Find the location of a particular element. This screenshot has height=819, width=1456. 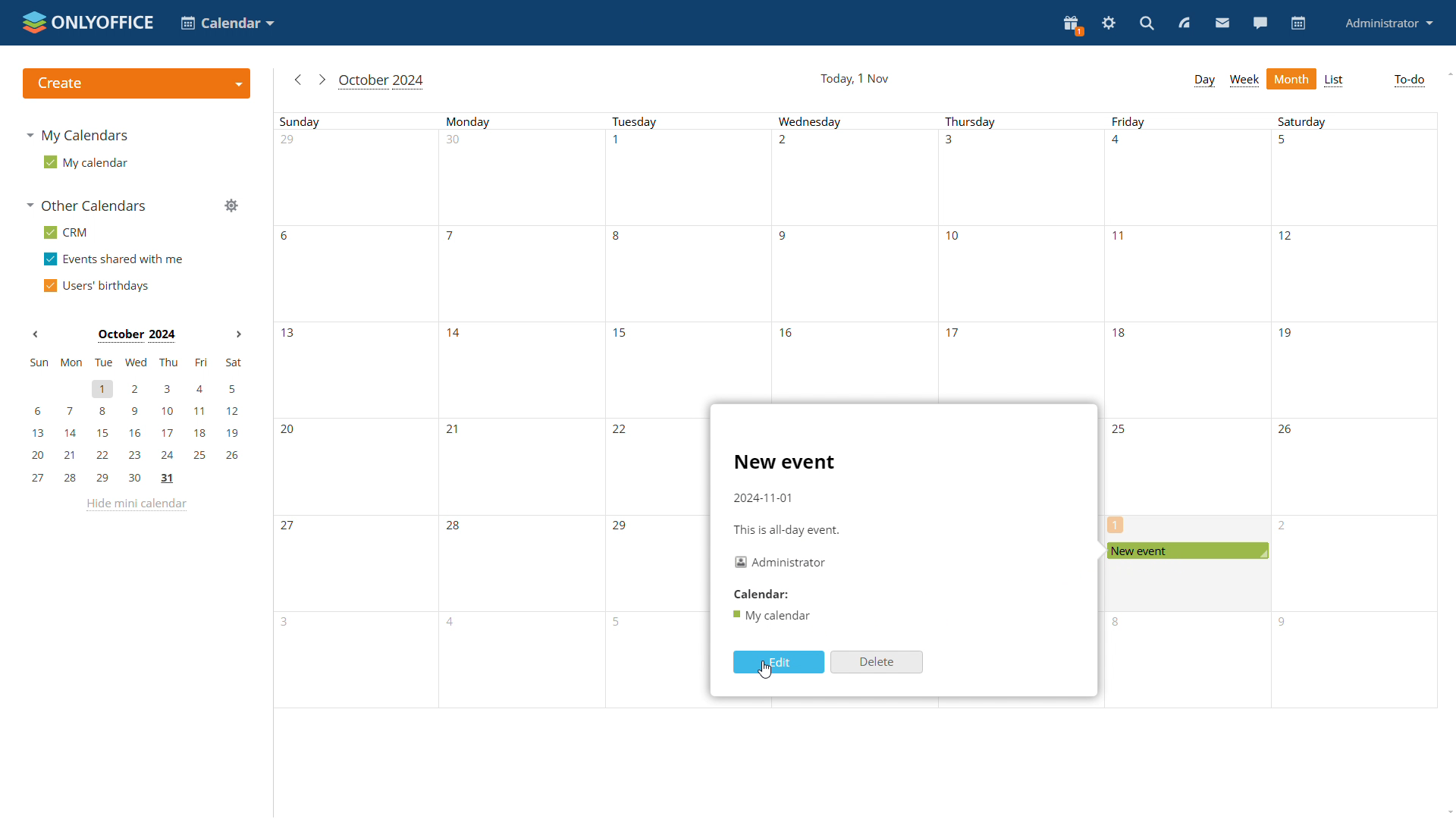

Wednesday is located at coordinates (852, 255).